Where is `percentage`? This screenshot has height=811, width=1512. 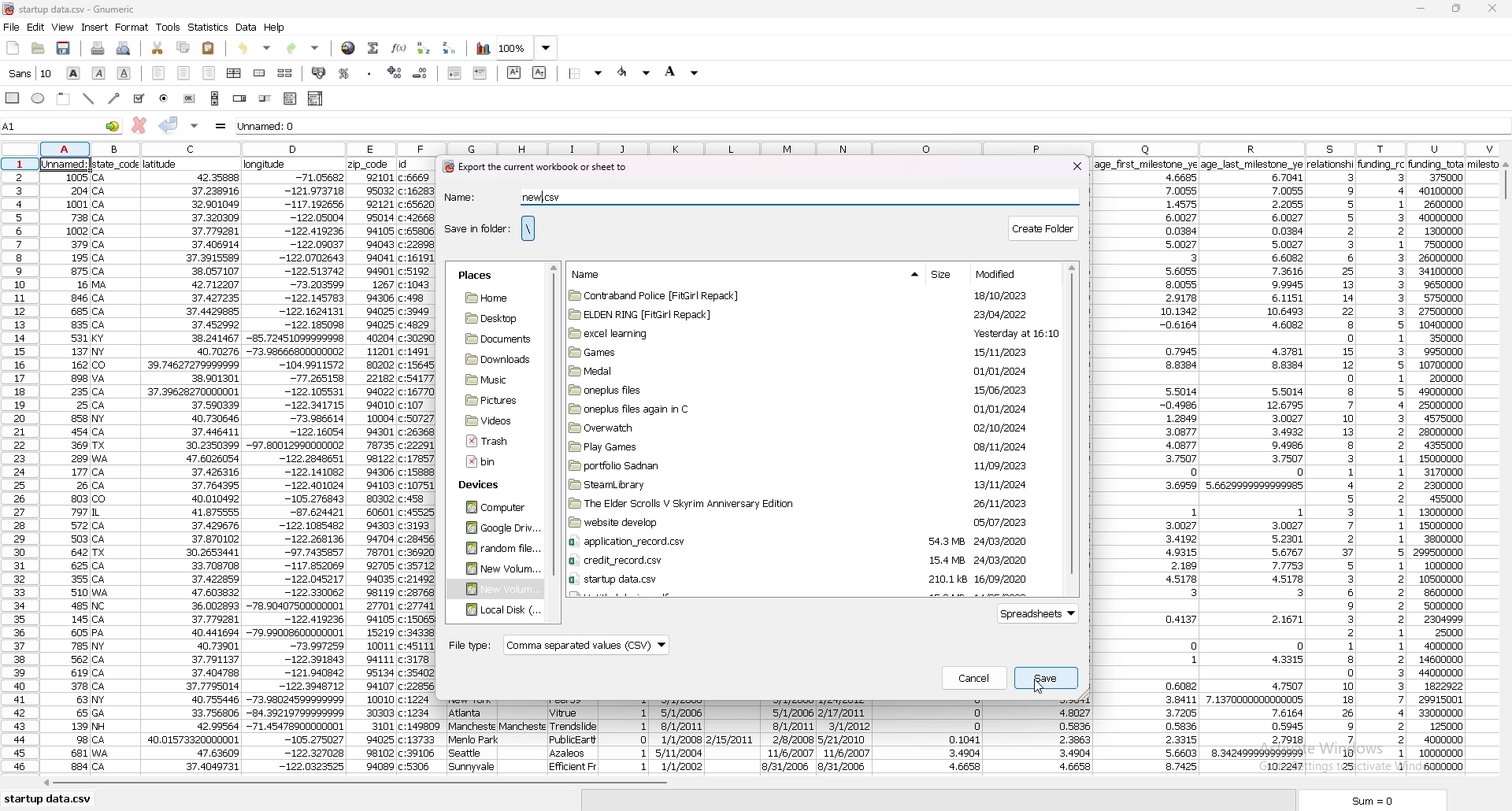 percentage is located at coordinates (345, 73).